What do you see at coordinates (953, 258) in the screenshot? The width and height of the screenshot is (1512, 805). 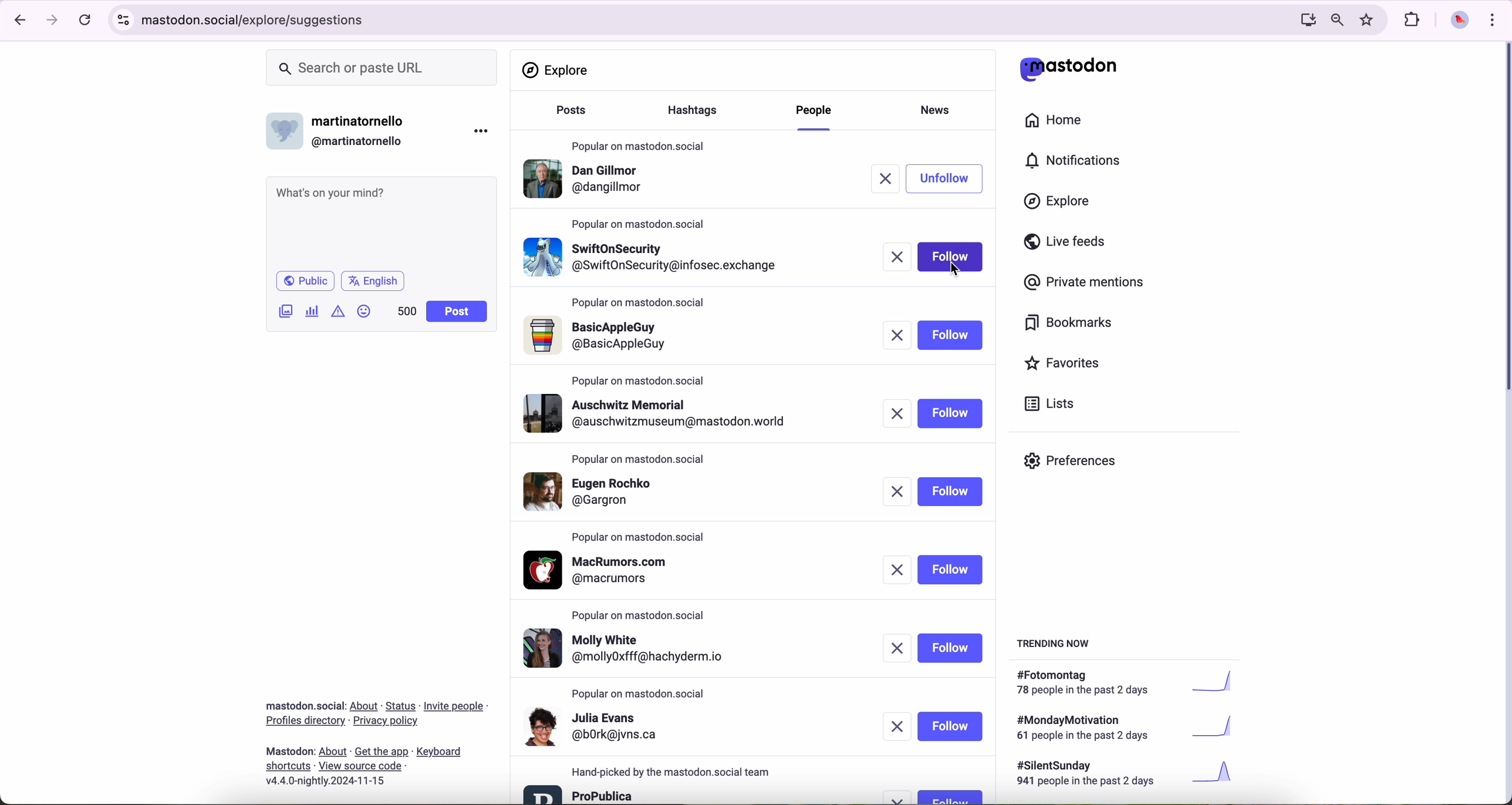 I see `click on follow` at bounding box center [953, 258].